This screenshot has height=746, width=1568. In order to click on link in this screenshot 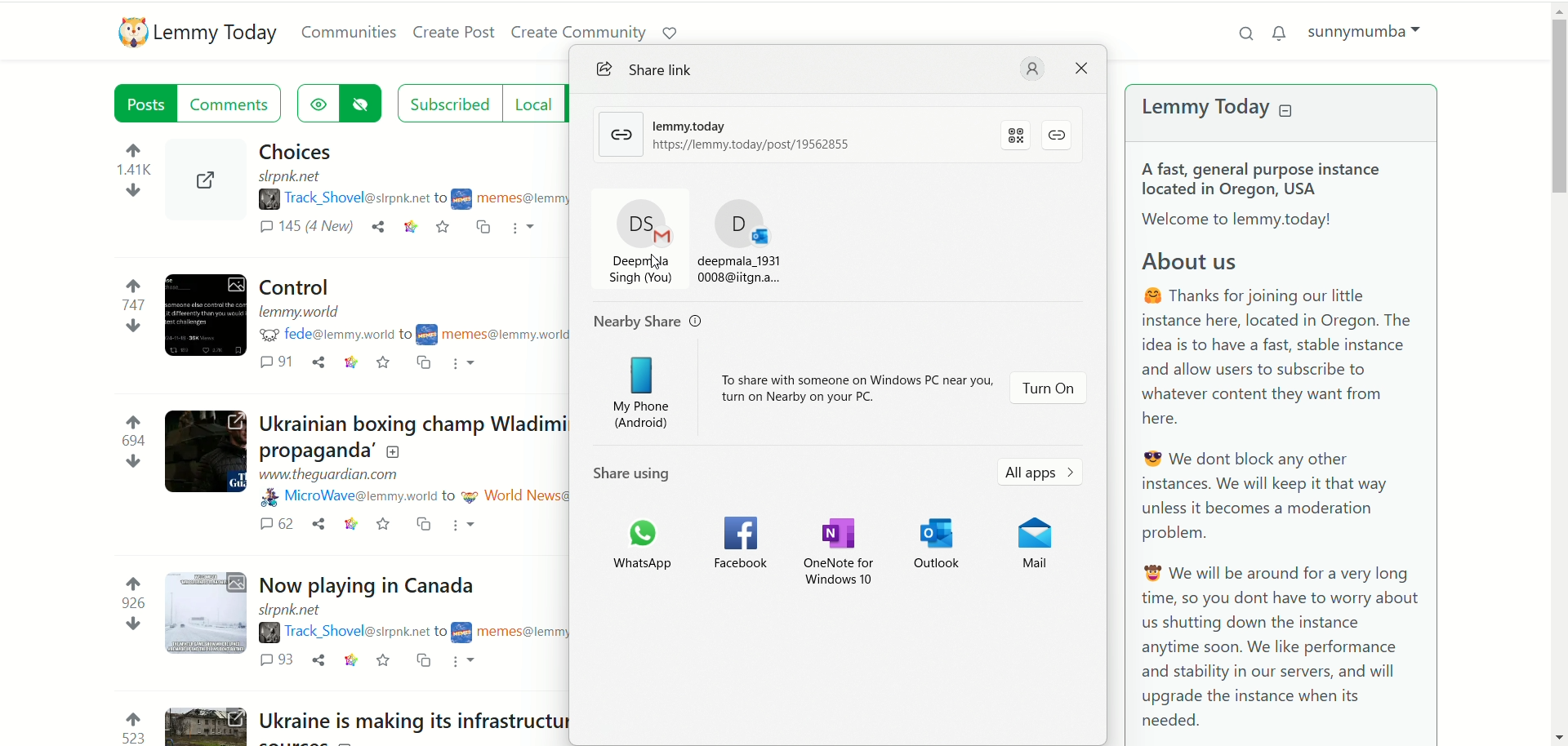, I will do `click(414, 229)`.